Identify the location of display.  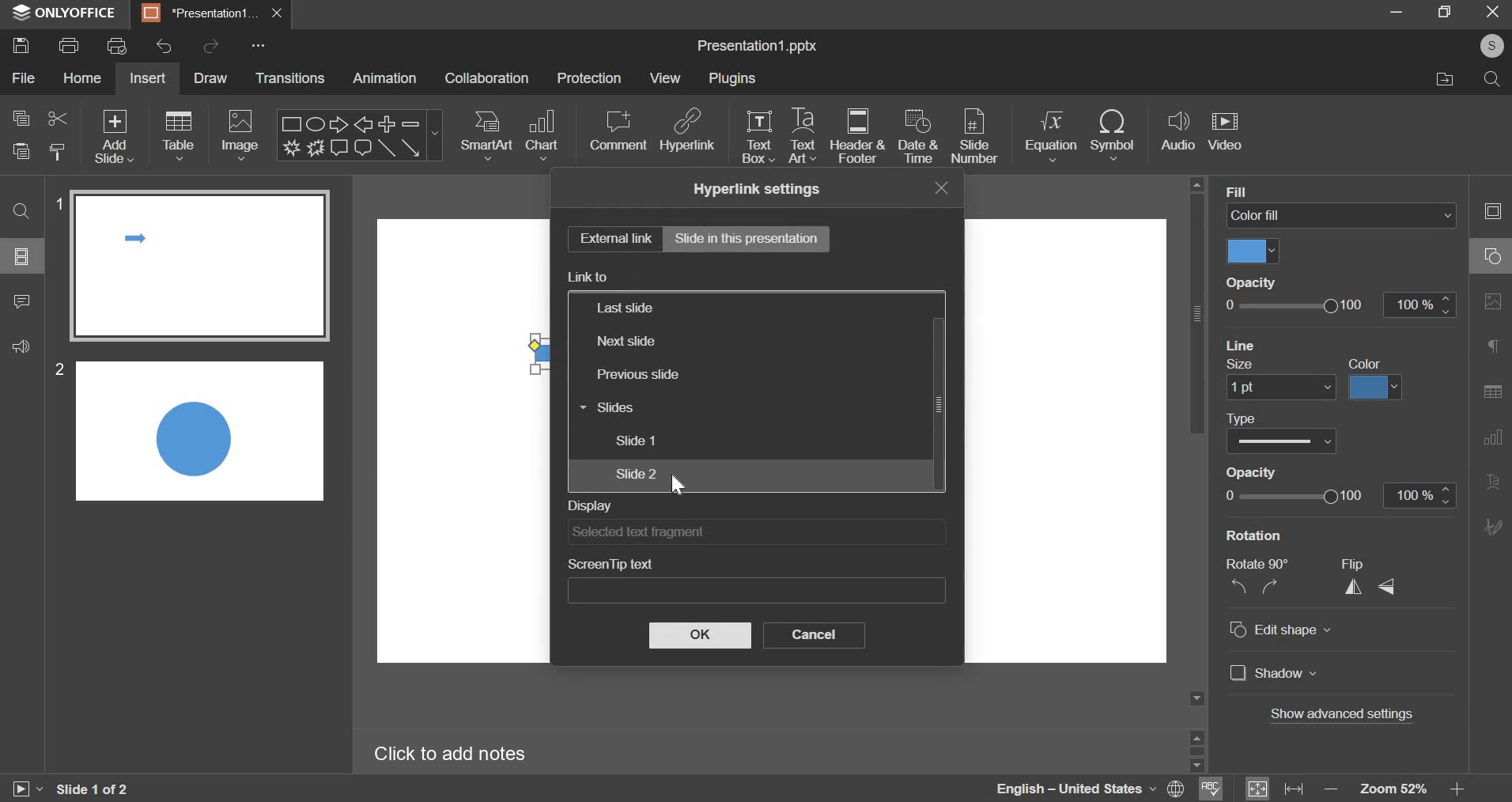
(588, 505).